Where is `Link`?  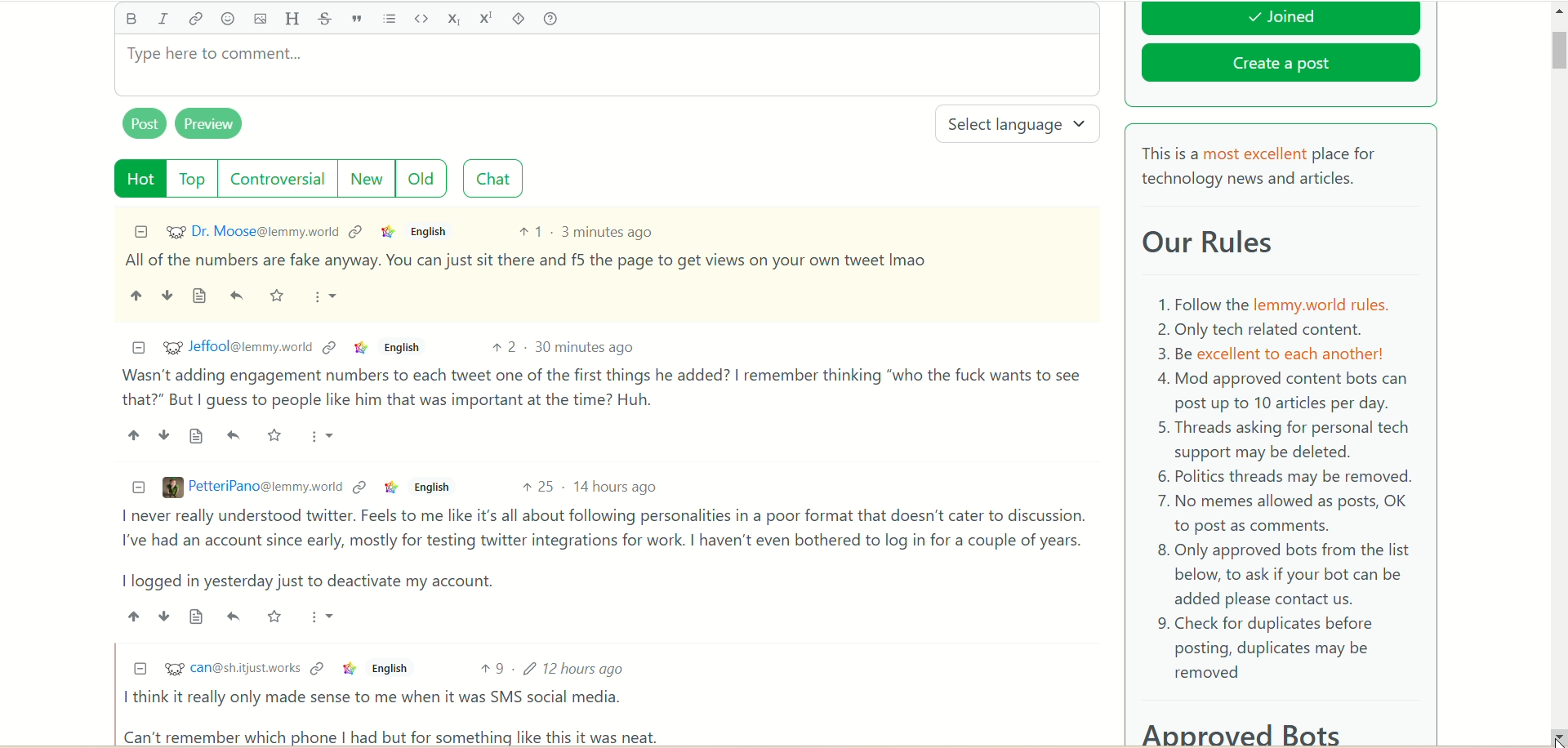
Link is located at coordinates (317, 668).